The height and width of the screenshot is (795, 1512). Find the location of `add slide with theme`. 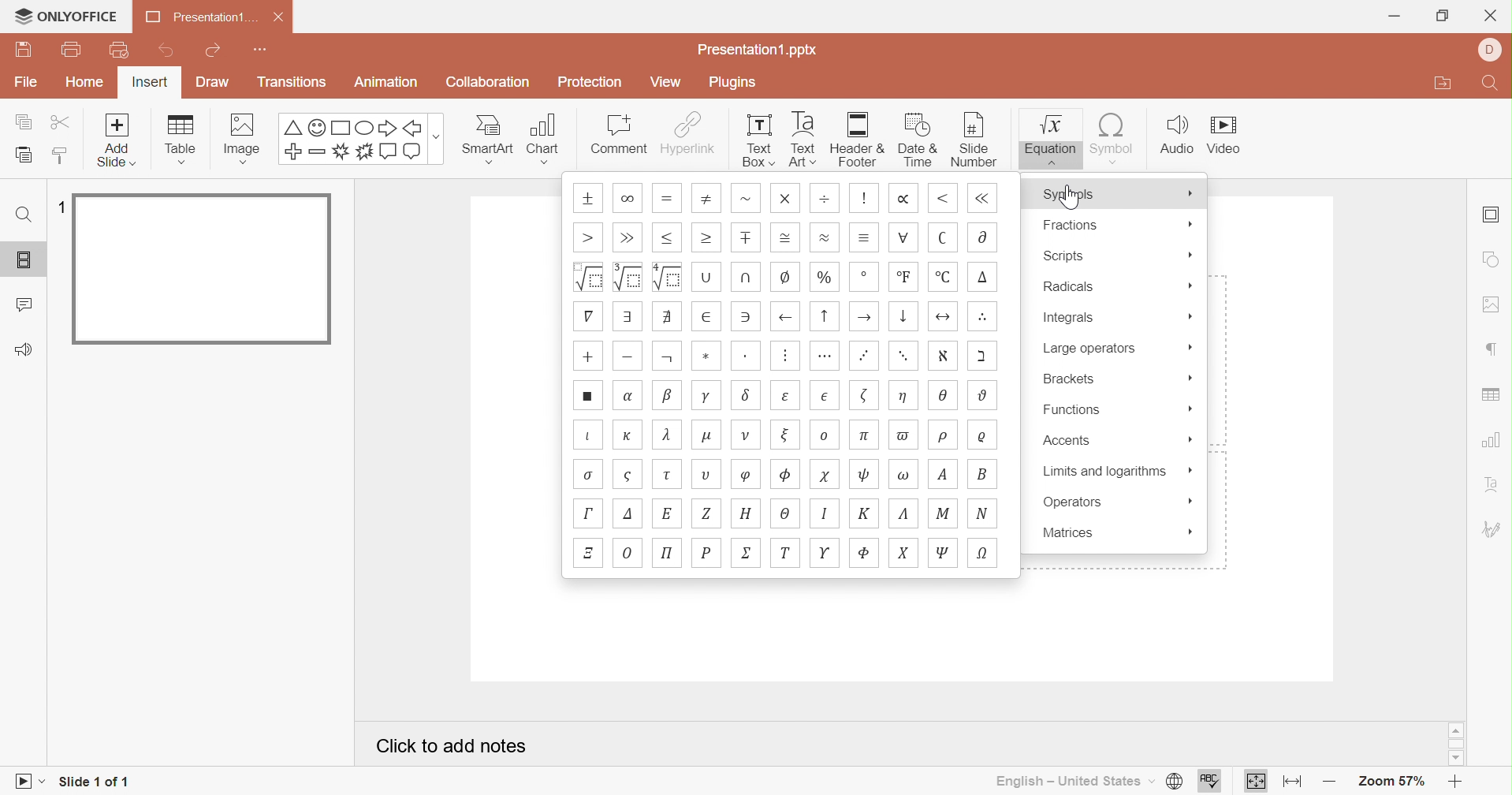

add slide with theme is located at coordinates (114, 156).